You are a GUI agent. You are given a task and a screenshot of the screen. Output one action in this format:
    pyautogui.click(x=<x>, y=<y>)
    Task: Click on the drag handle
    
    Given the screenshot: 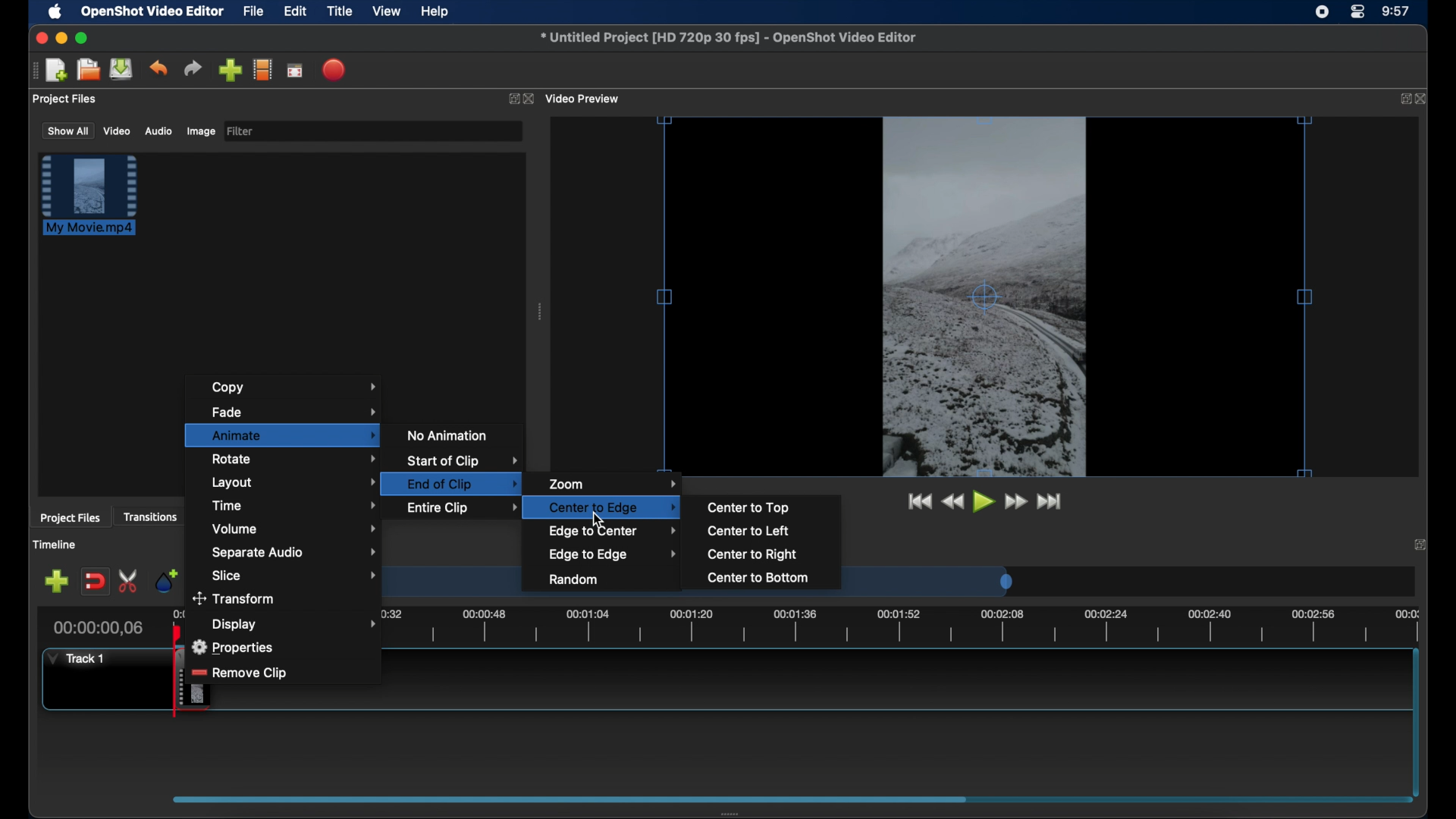 What is the action you would take?
    pyautogui.click(x=735, y=813)
    